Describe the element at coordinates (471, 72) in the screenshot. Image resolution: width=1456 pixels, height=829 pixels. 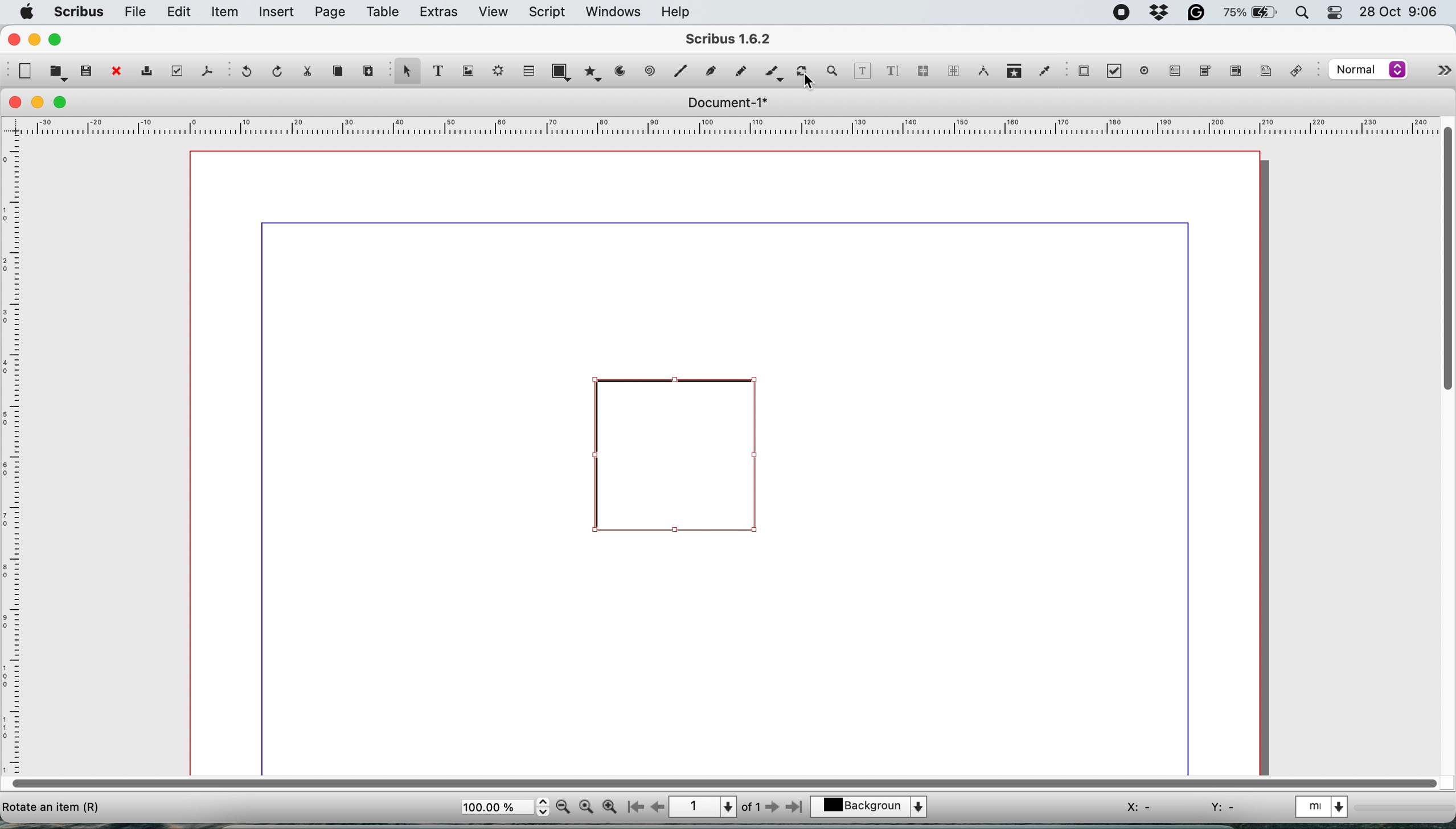
I see `image frame` at that location.